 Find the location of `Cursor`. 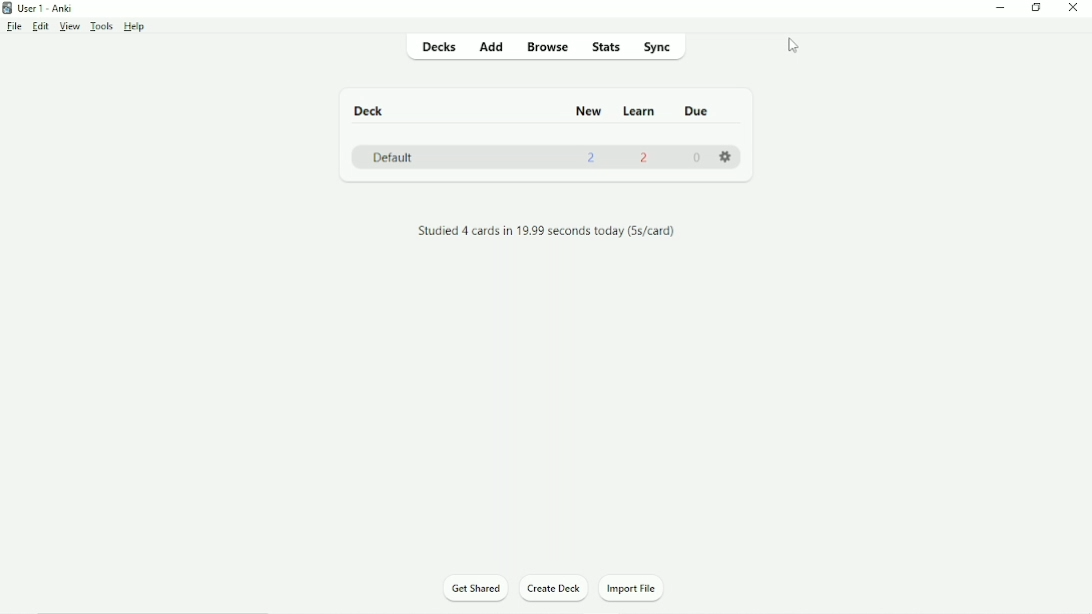

Cursor is located at coordinates (792, 46).